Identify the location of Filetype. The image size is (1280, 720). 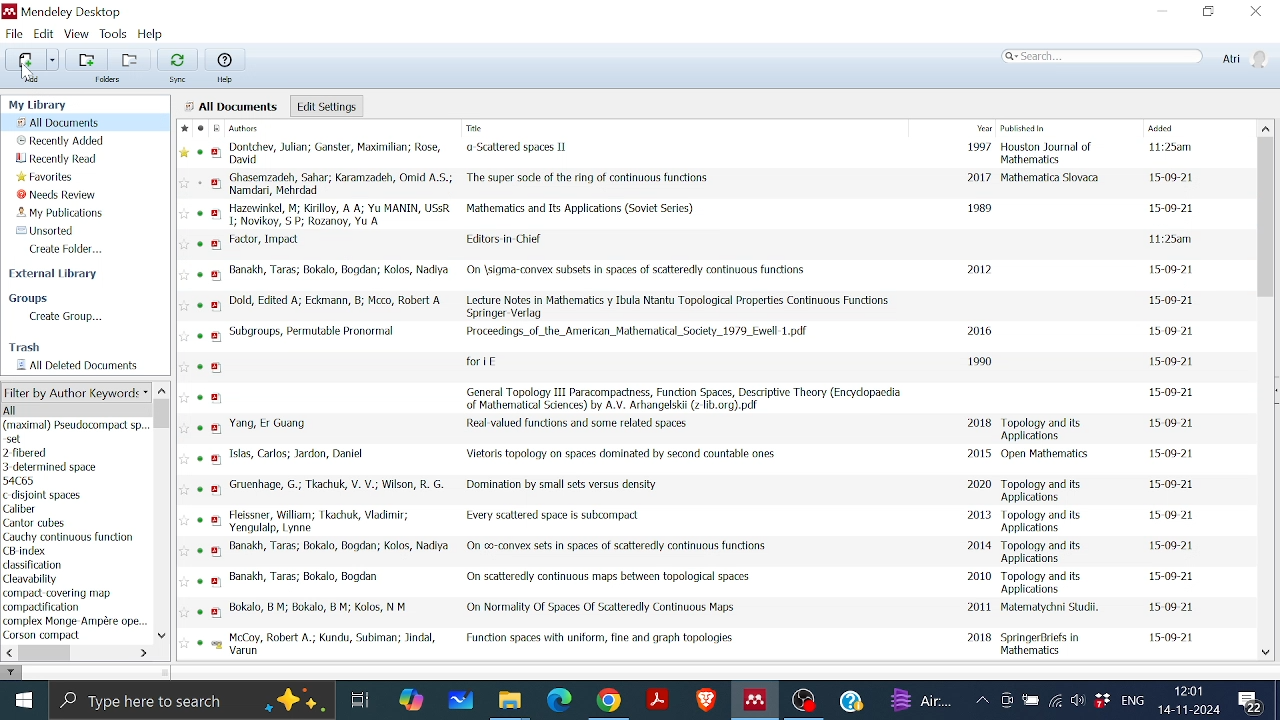
(220, 130).